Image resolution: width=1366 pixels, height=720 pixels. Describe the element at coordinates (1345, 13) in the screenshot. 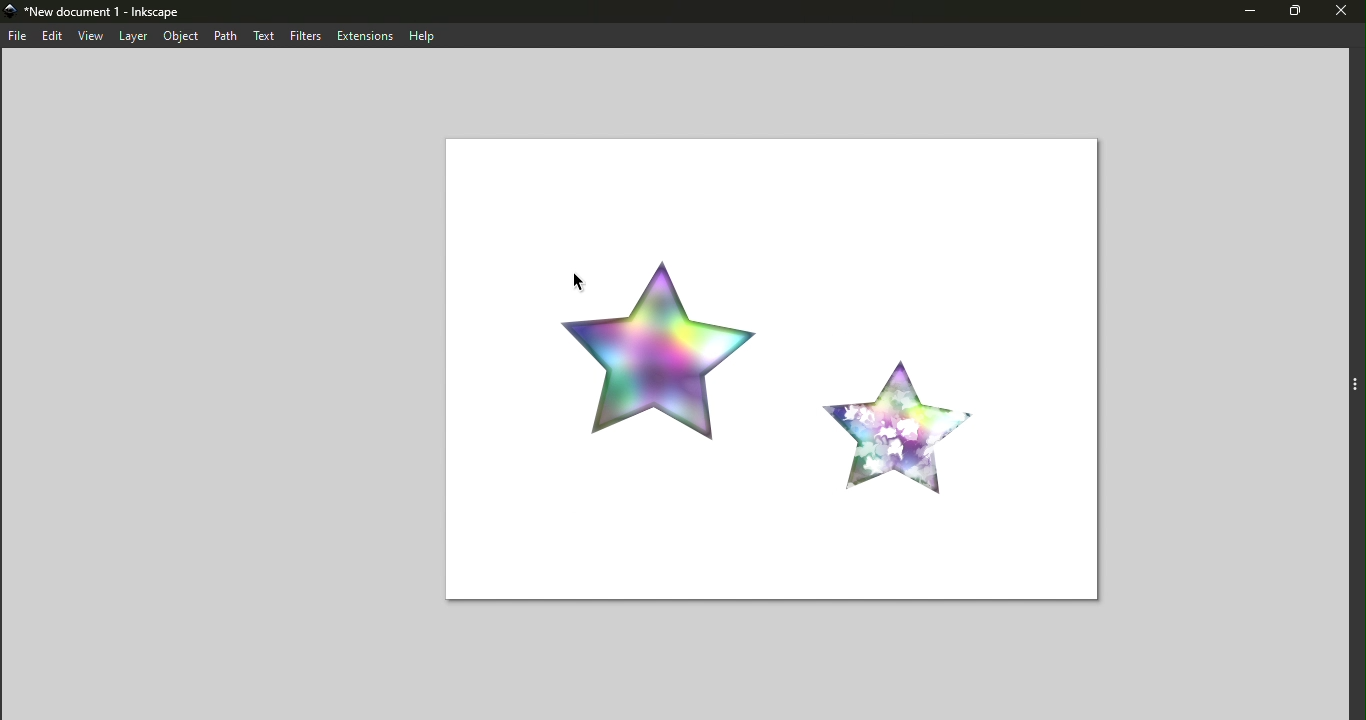

I see `close` at that location.